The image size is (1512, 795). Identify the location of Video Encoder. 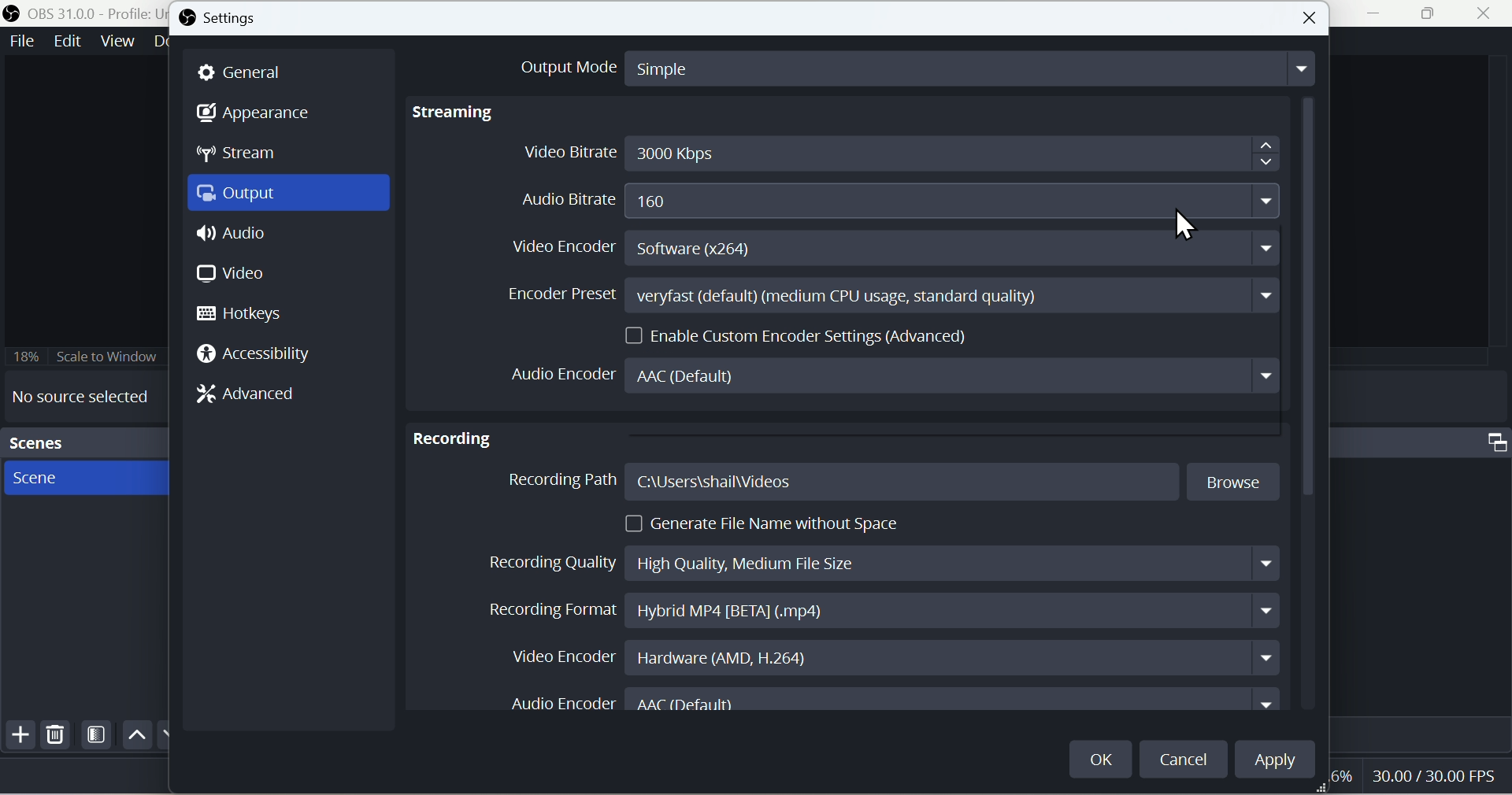
(897, 250).